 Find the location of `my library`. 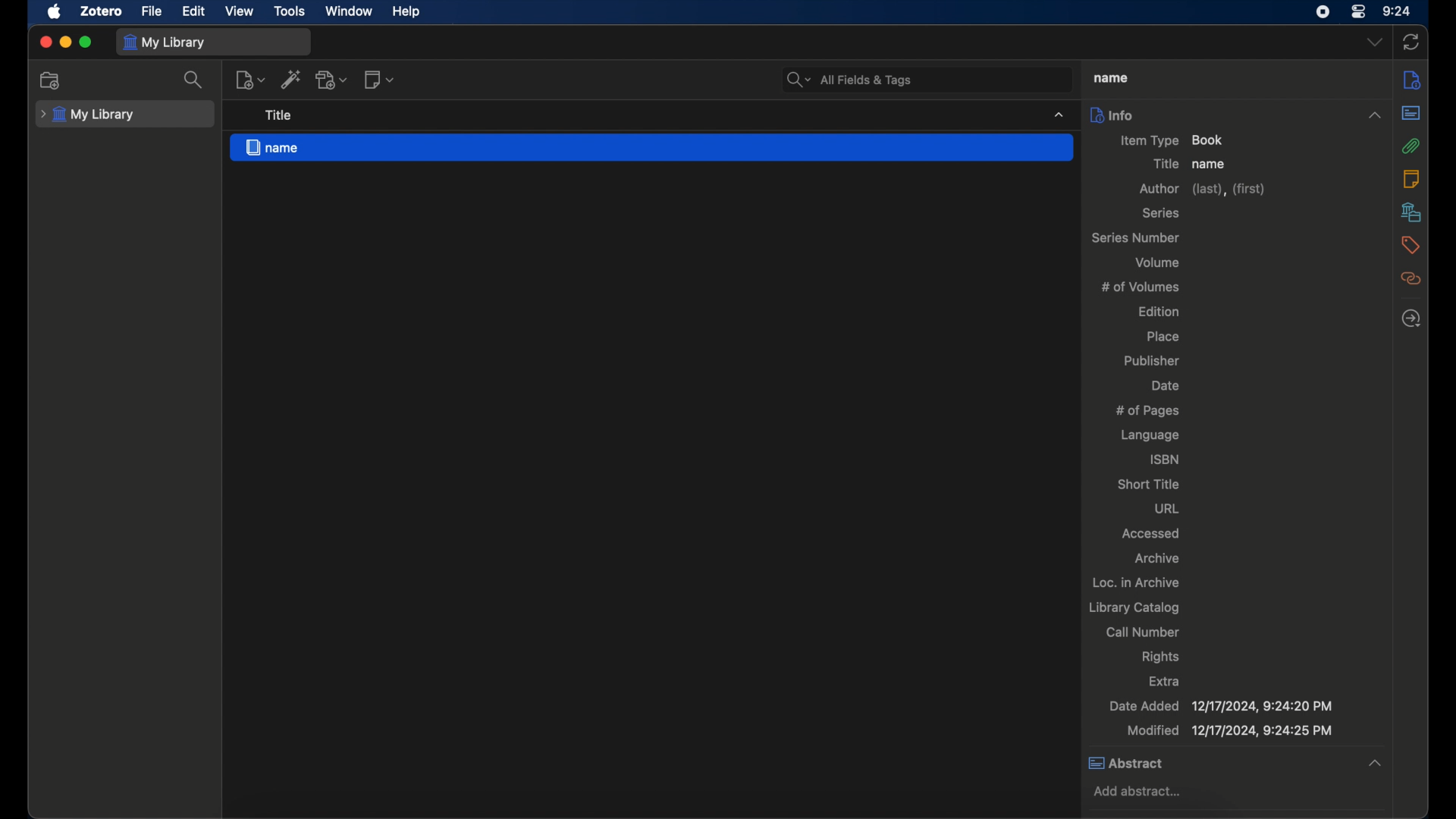

my library is located at coordinates (87, 115).